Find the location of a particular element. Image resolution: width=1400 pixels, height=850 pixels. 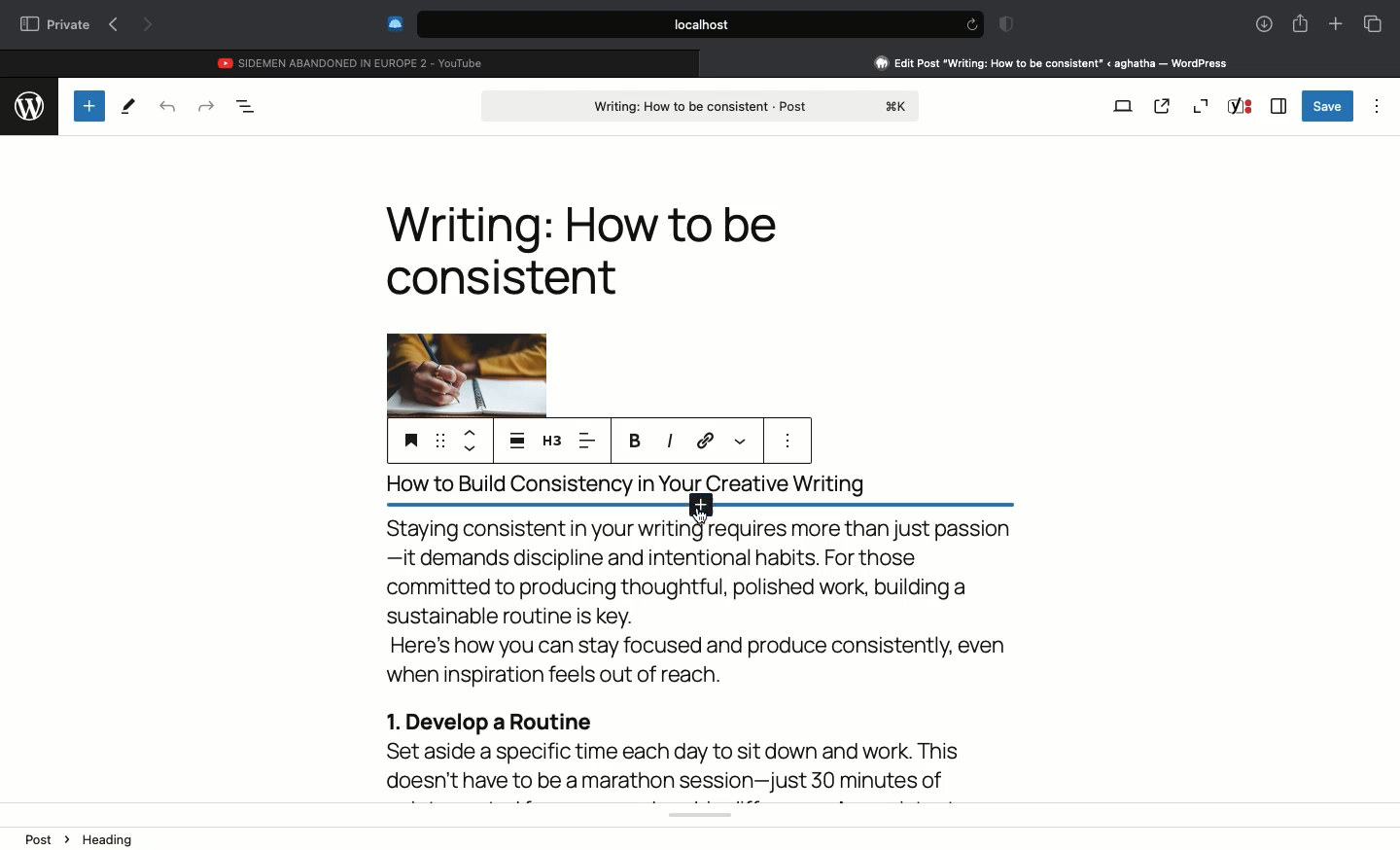

New tab is located at coordinates (1336, 24).